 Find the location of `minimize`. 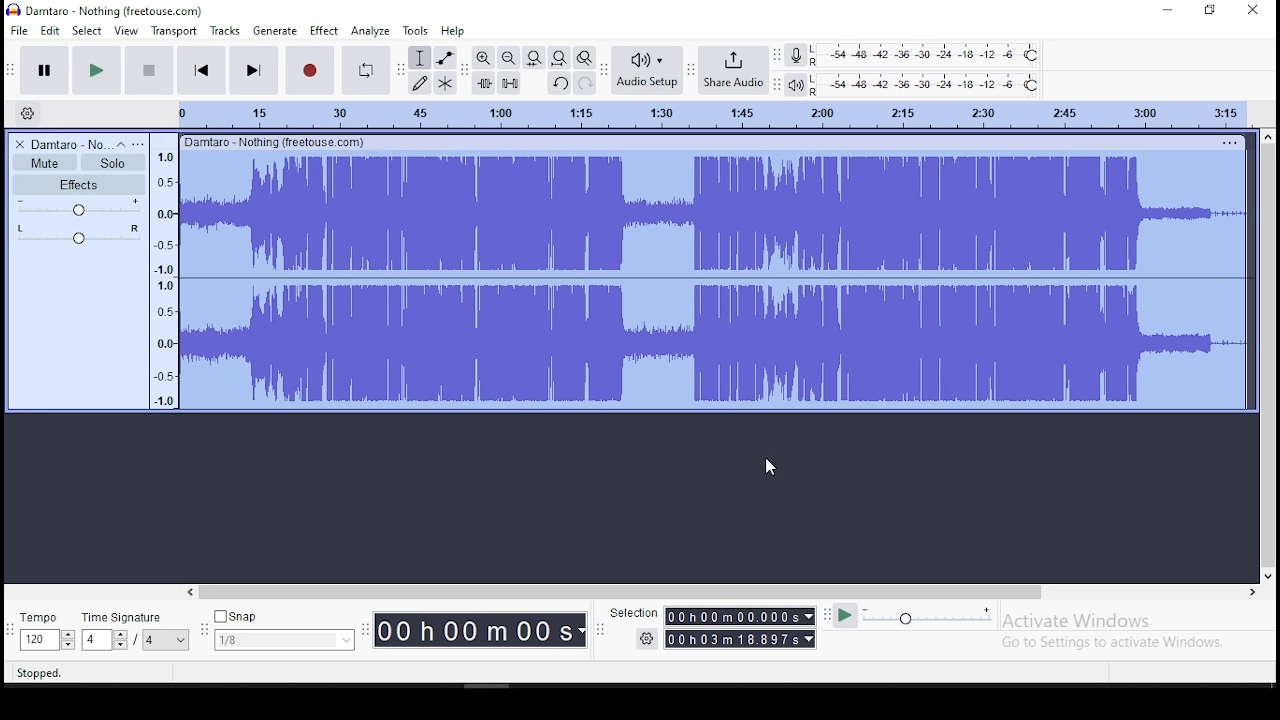

minimize is located at coordinates (1164, 9).